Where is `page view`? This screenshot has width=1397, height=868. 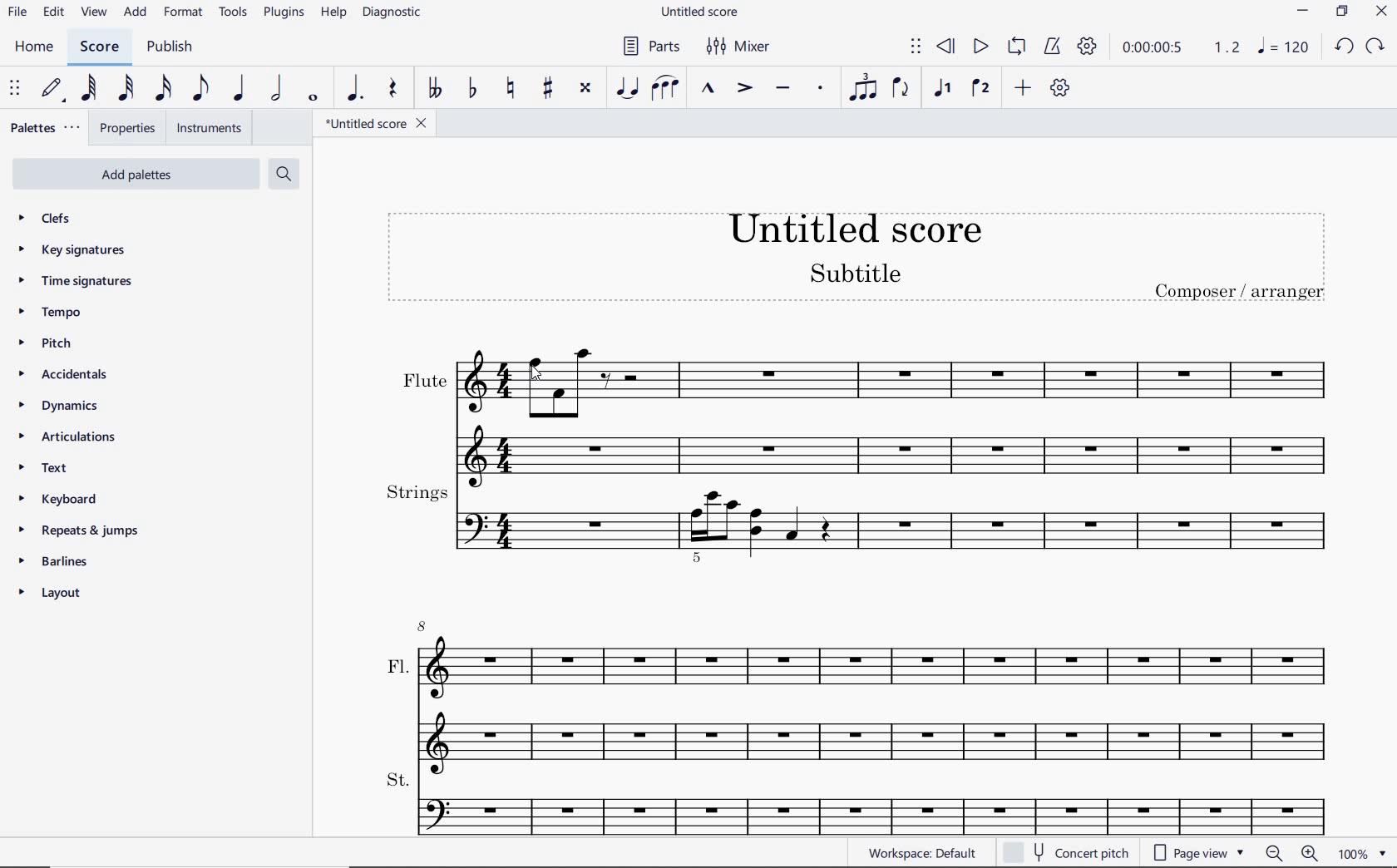 page view is located at coordinates (1197, 853).